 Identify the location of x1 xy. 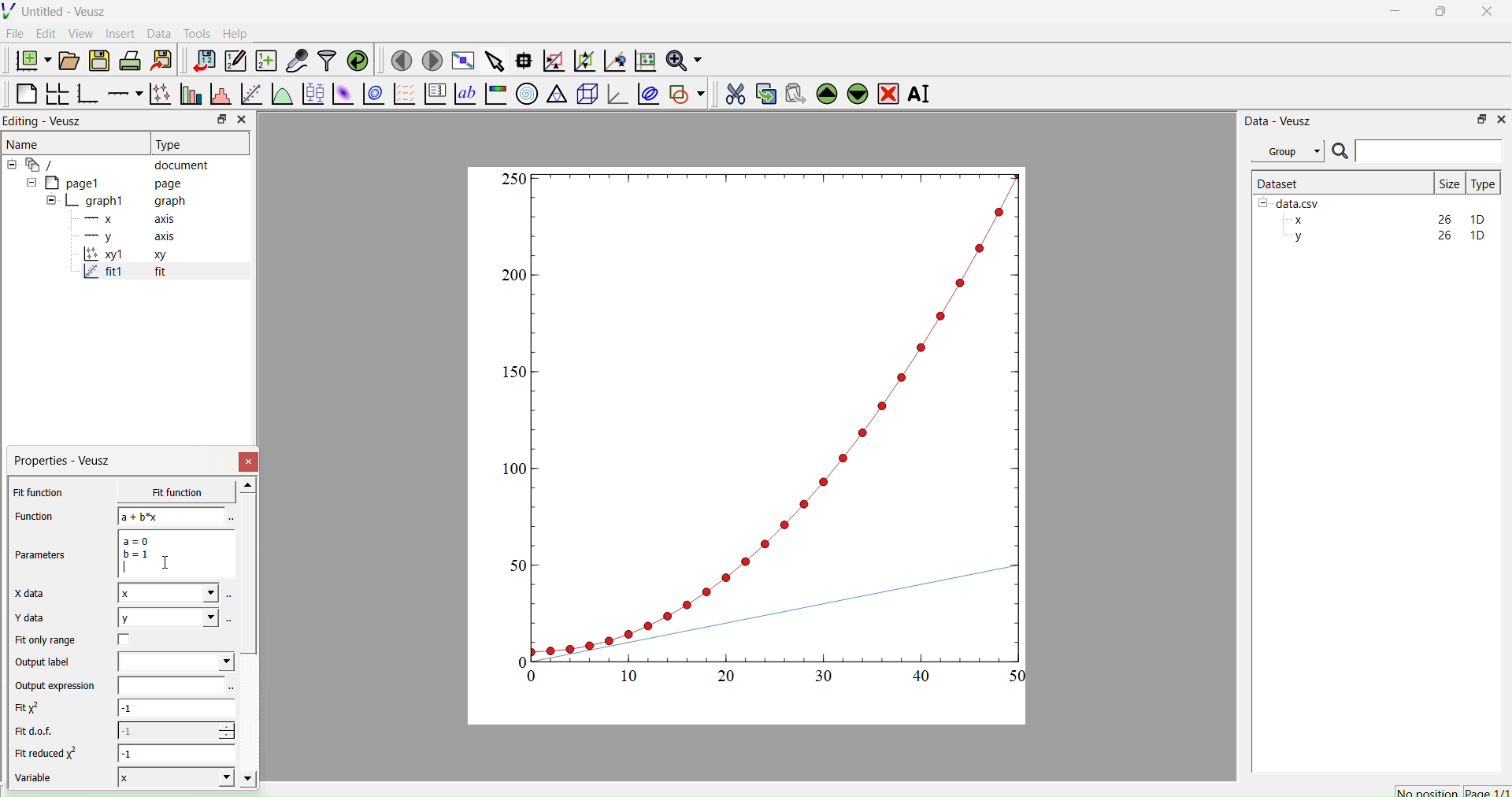
(124, 256).